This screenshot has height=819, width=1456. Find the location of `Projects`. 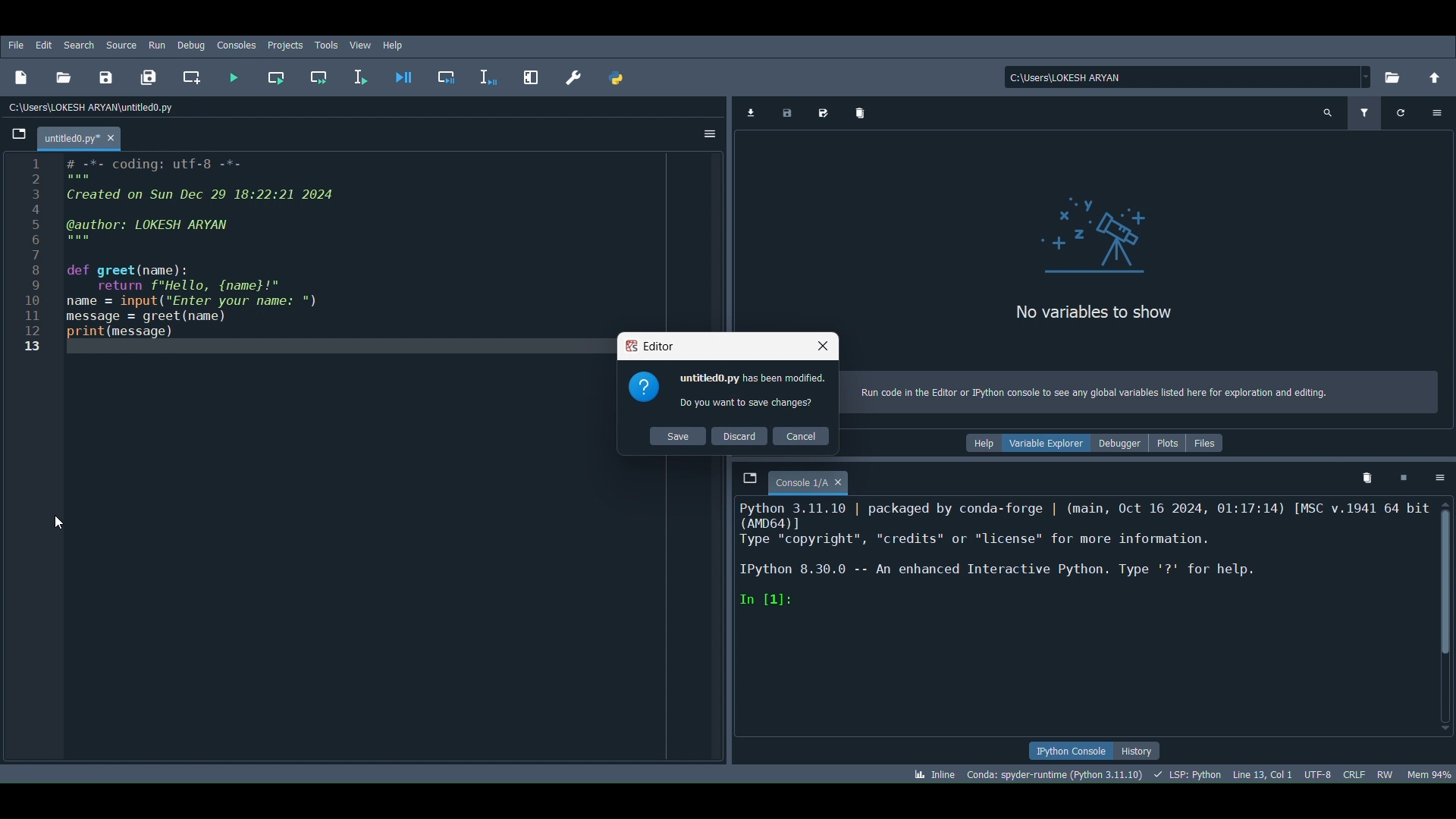

Projects is located at coordinates (284, 45).